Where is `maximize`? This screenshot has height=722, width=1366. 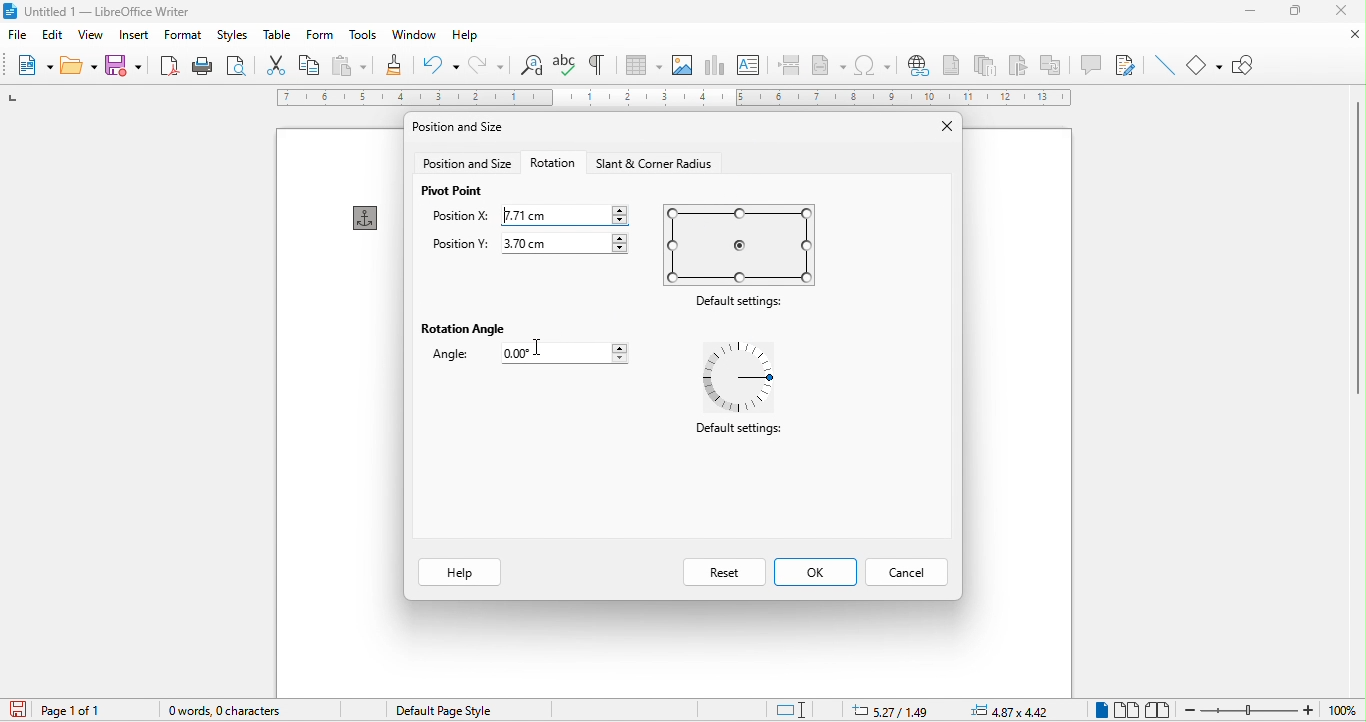
maximize is located at coordinates (1295, 10).